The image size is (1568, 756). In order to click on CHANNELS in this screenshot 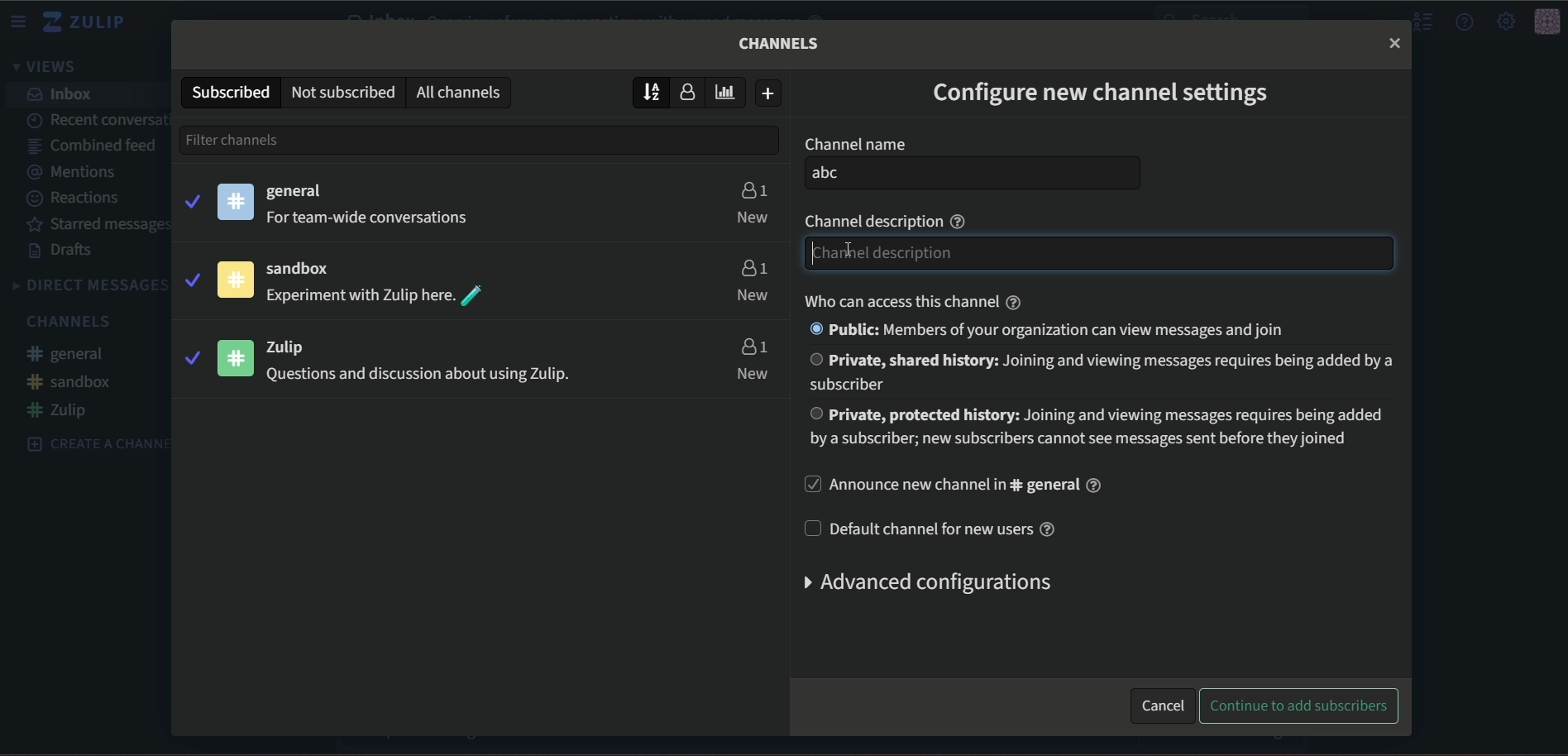, I will do `click(69, 323)`.